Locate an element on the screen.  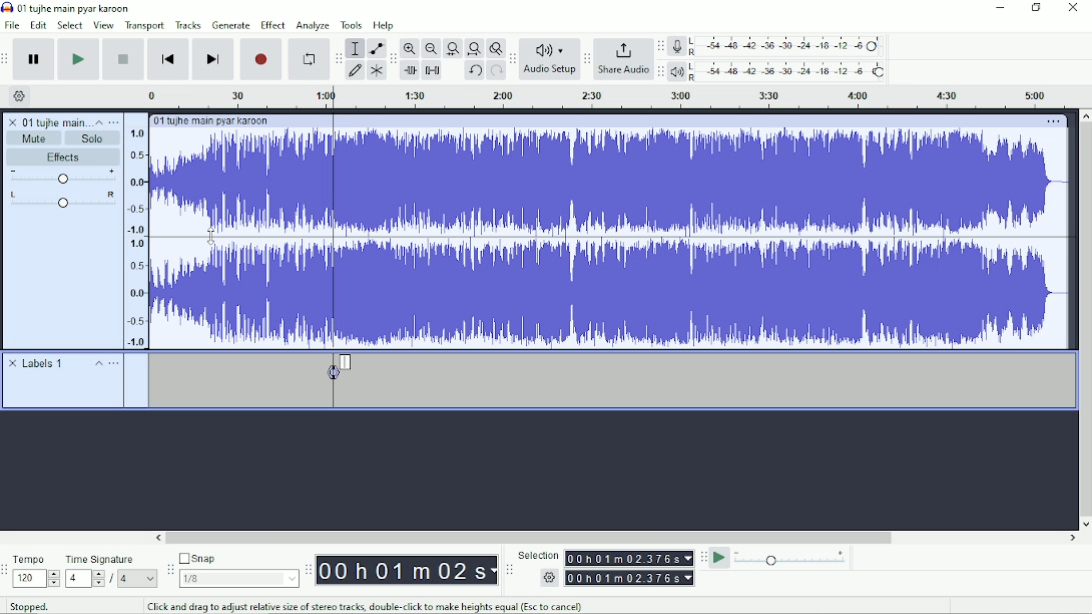
Help is located at coordinates (386, 26).